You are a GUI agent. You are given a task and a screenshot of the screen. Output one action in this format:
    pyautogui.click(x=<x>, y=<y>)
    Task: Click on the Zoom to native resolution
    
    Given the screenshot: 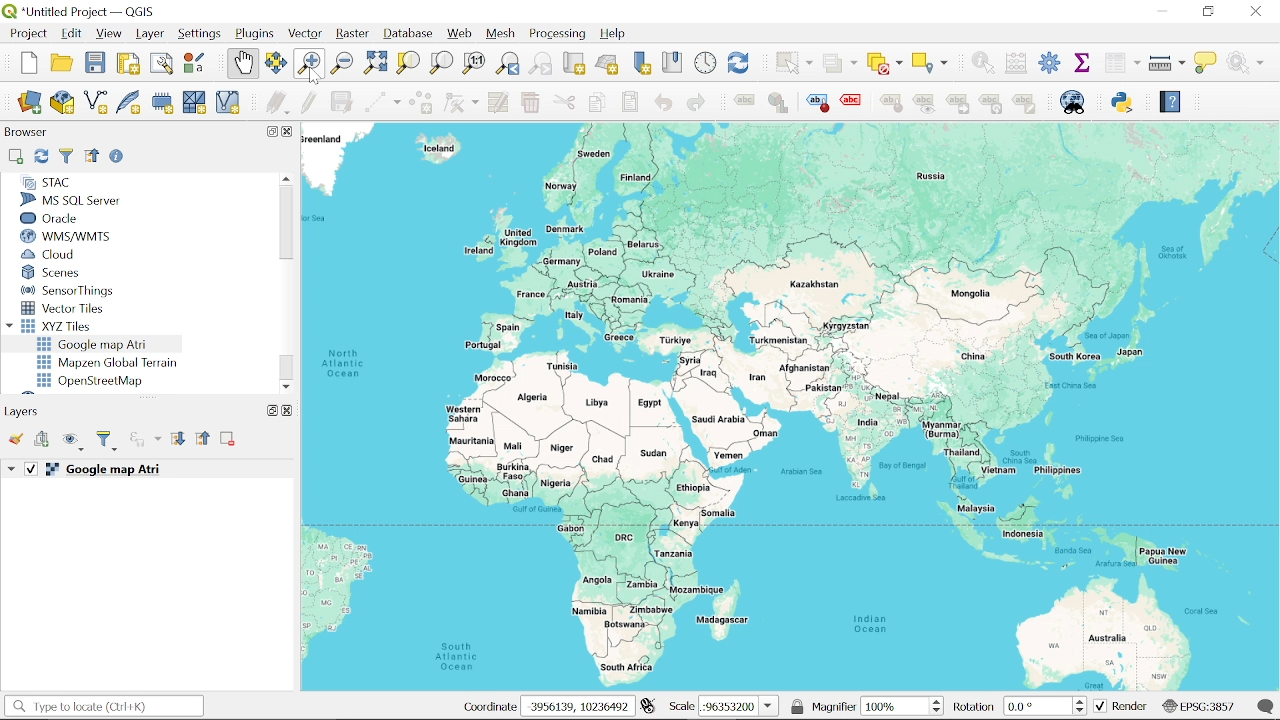 What is the action you would take?
    pyautogui.click(x=474, y=62)
    